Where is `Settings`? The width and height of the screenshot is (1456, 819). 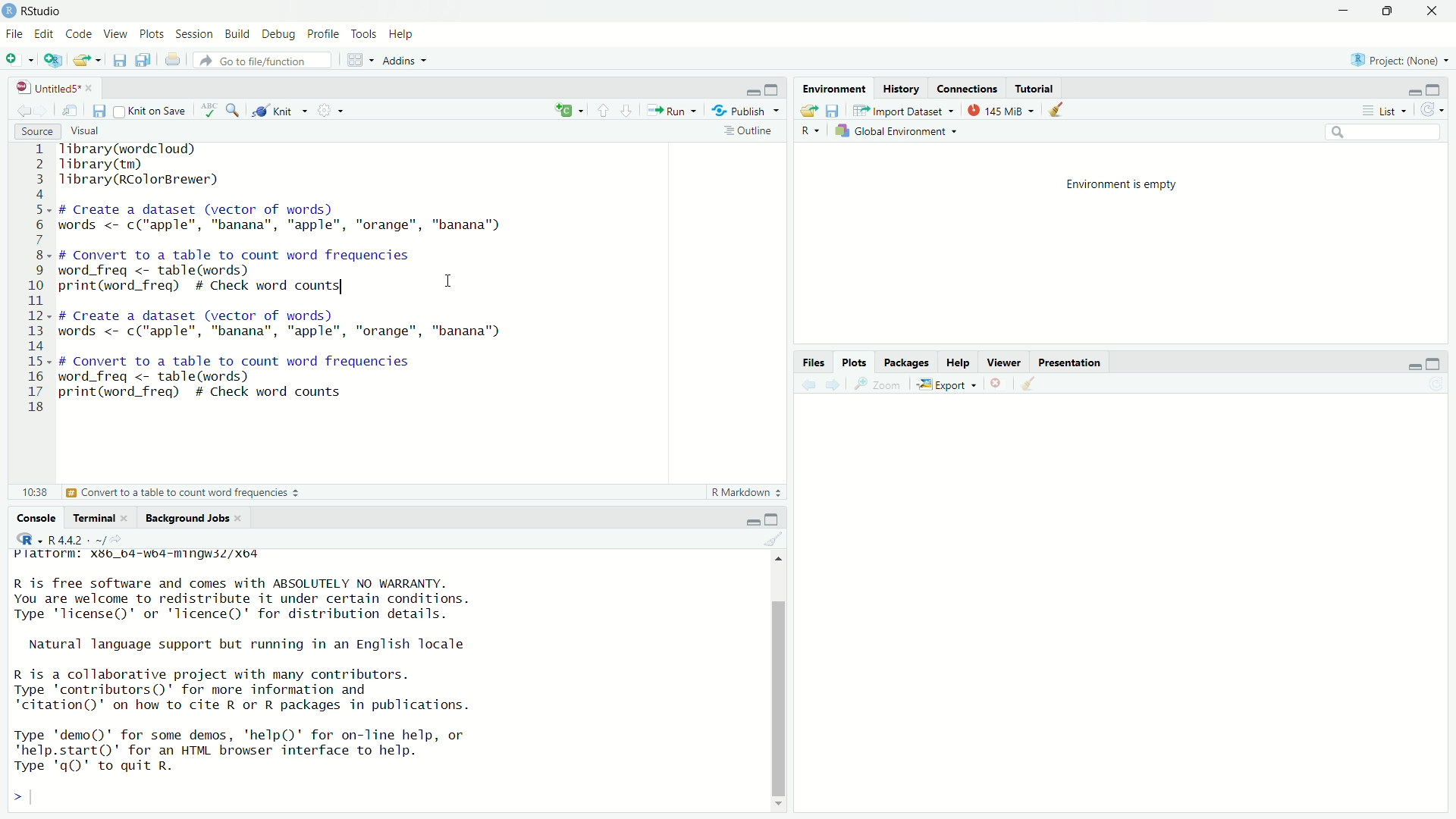
Settings is located at coordinates (331, 110).